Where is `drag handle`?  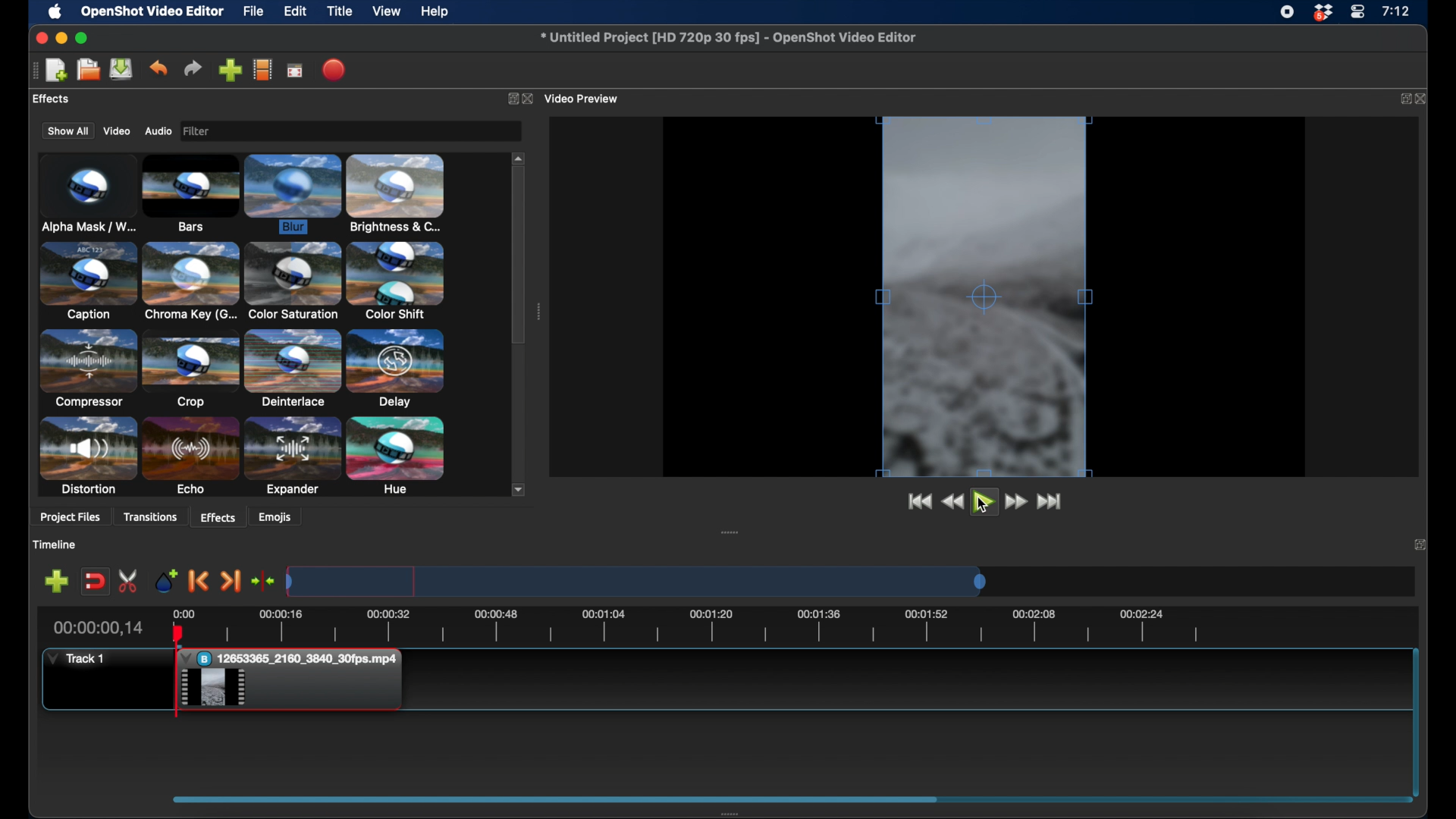 drag handle is located at coordinates (538, 312).